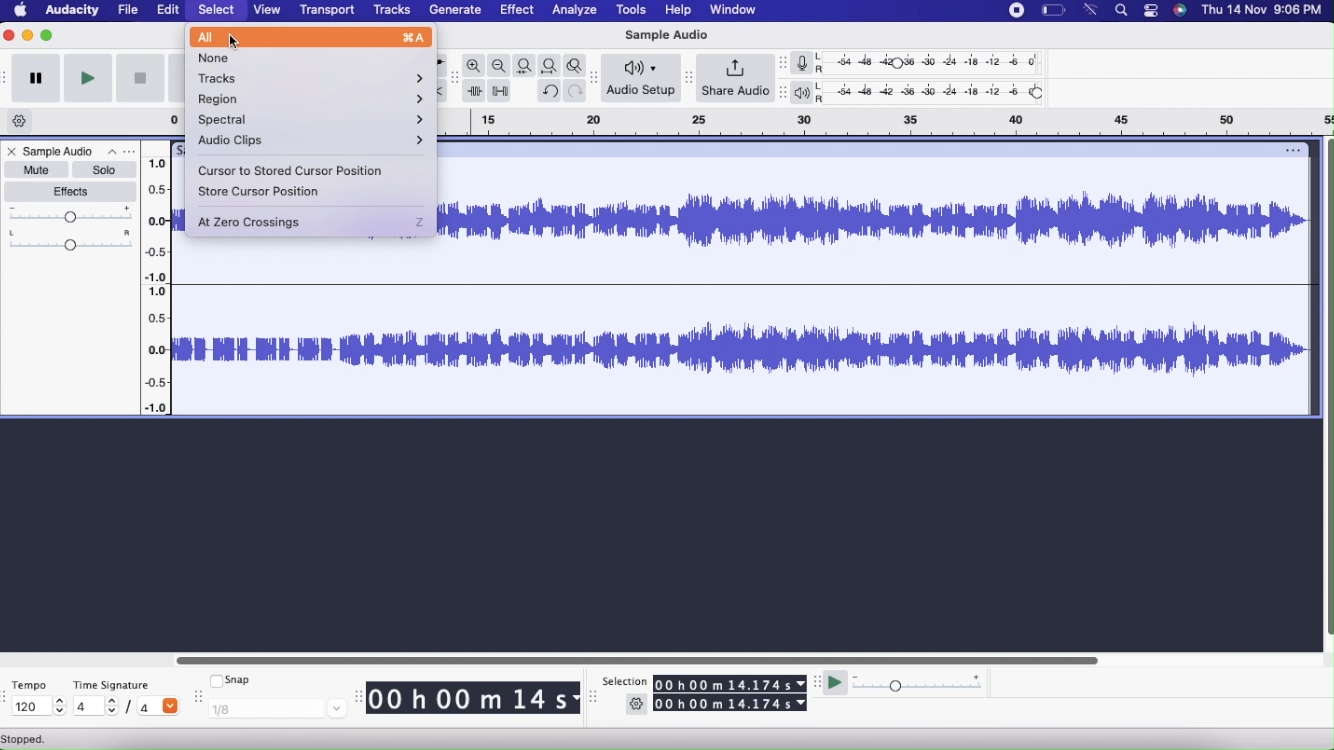 The image size is (1334, 750). What do you see at coordinates (574, 66) in the screenshot?
I see `Zoom toggle` at bounding box center [574, 66].